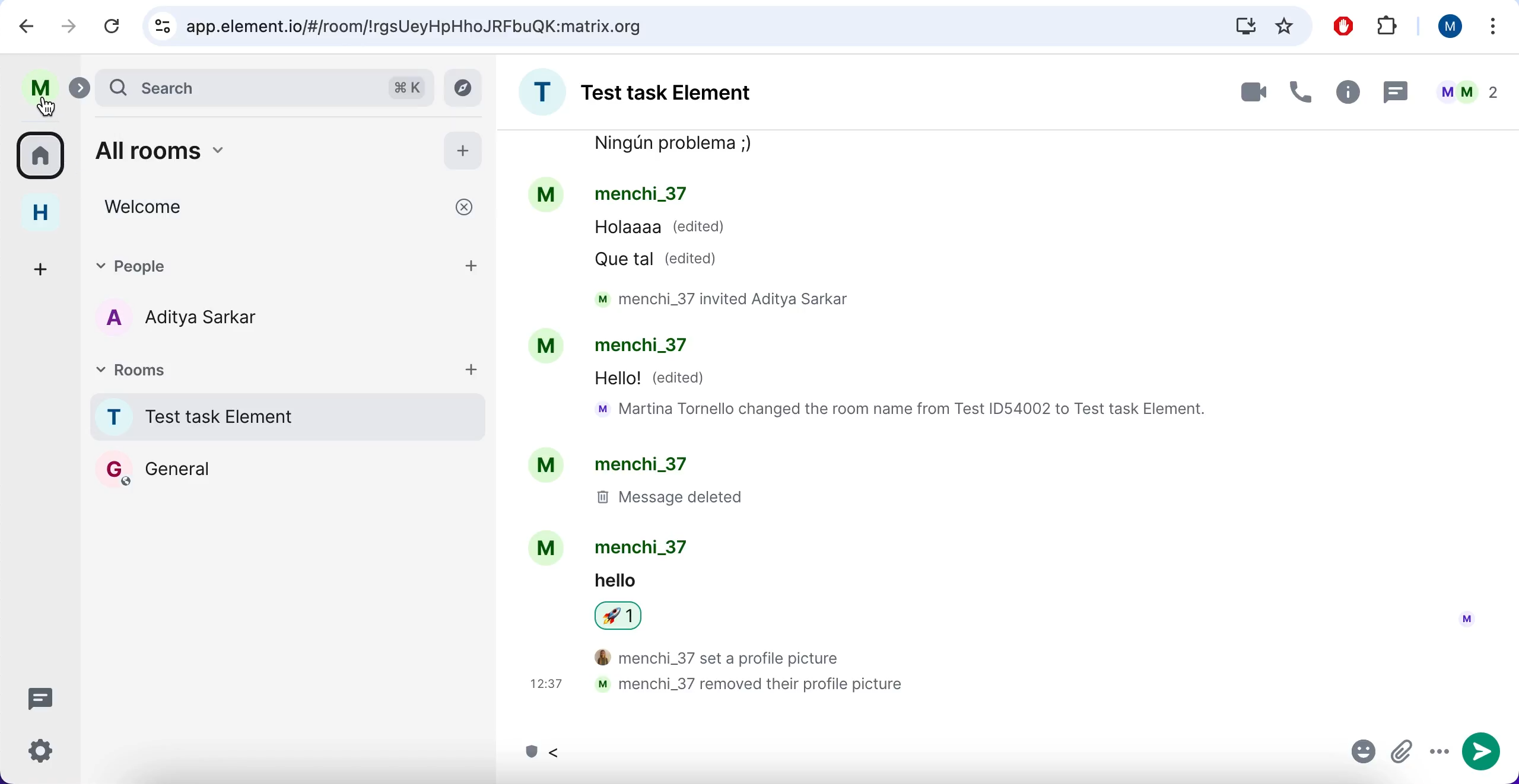 Image resolution: width=1519 pixels, height=784 pixels. I want to click on extensions, so click(1389, 28).